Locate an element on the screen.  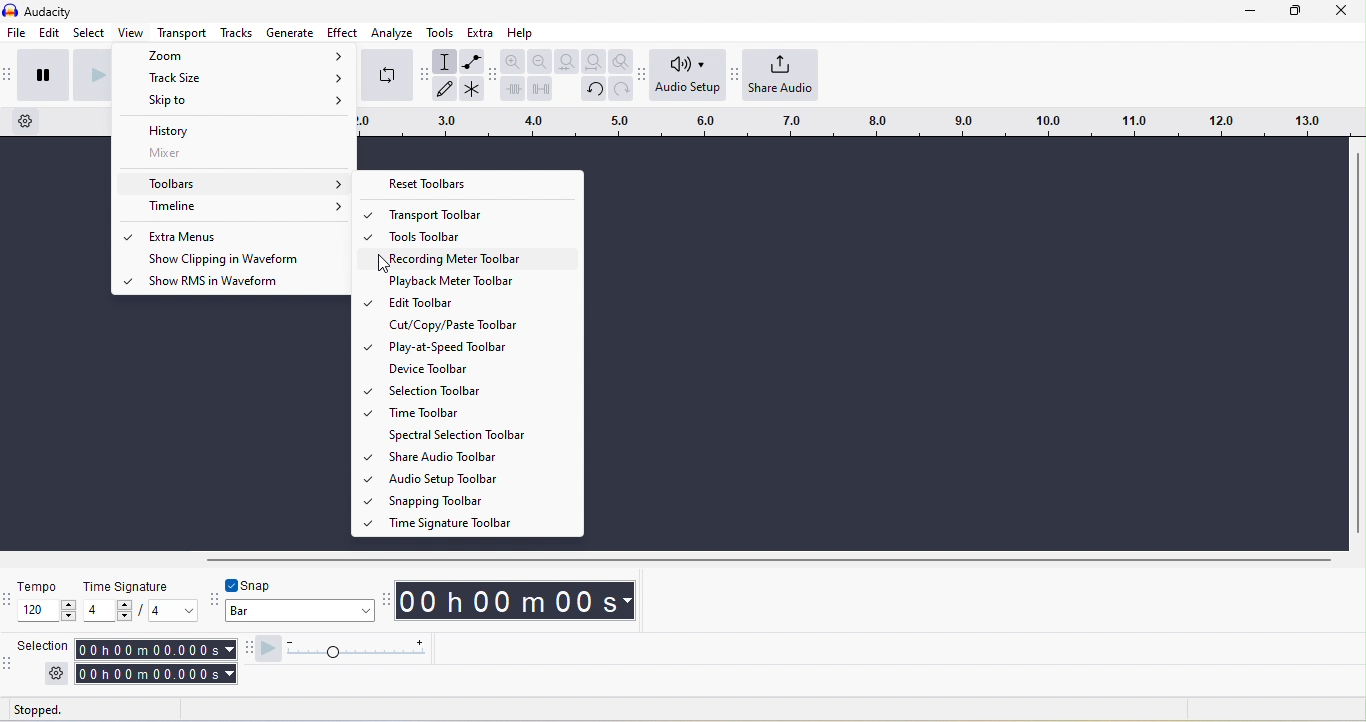
Edit toolbar is located at coordinates (479, 302).